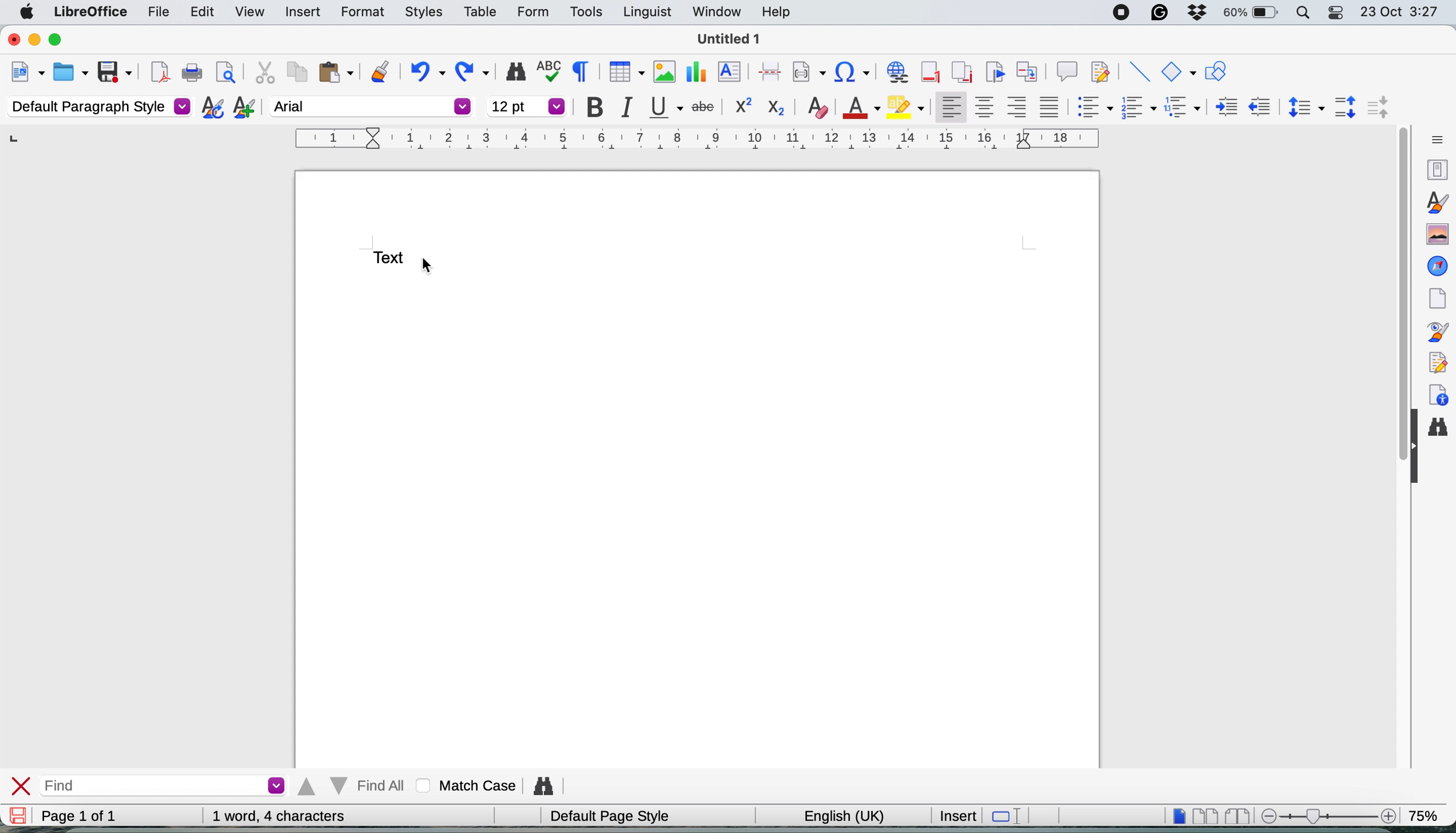 This screenshot has height=833, width=1456. What do you see at coordinates (1434, 140) in the screenshot?
I see `sidebar settings` at bounding box center [1434, 140].